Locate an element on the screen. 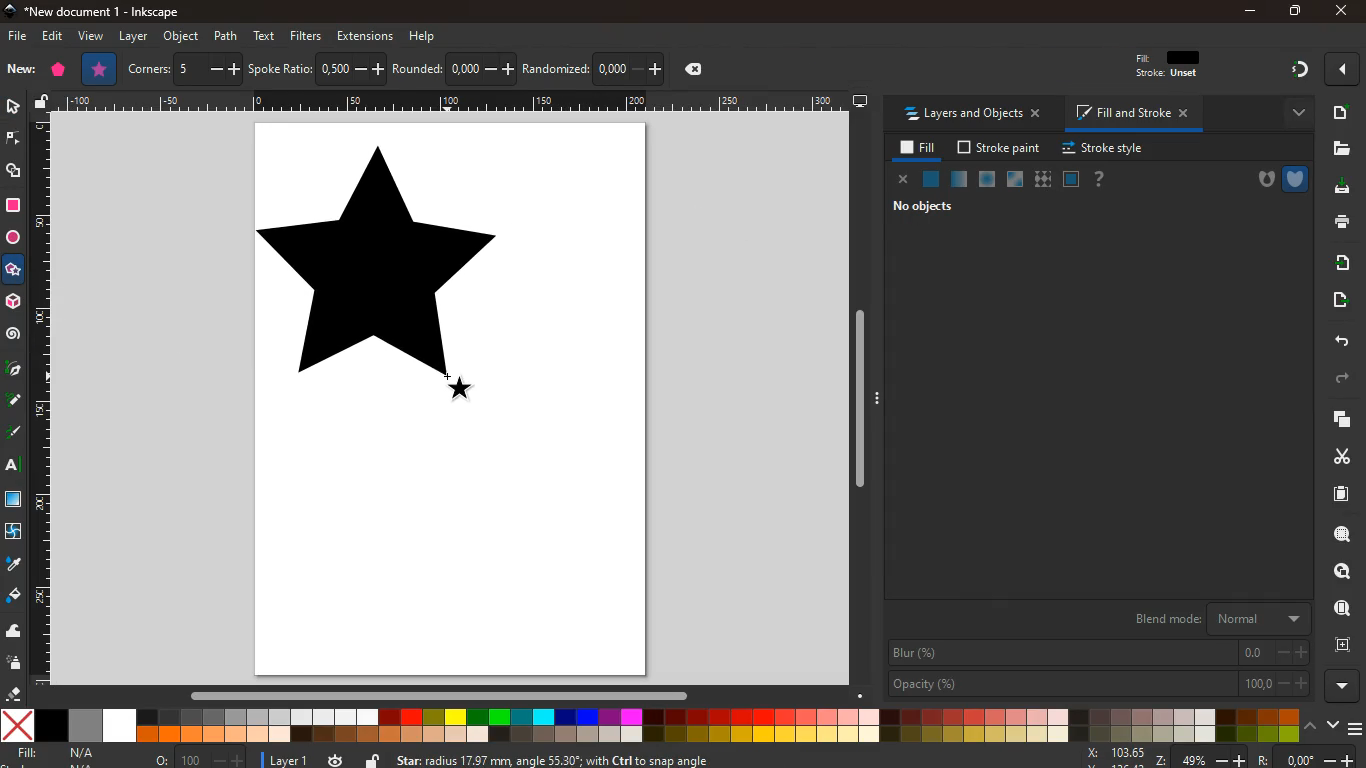 Image resolution: width=1366 pixels, height=768 pixels. write is located at coordinates (14, 430).